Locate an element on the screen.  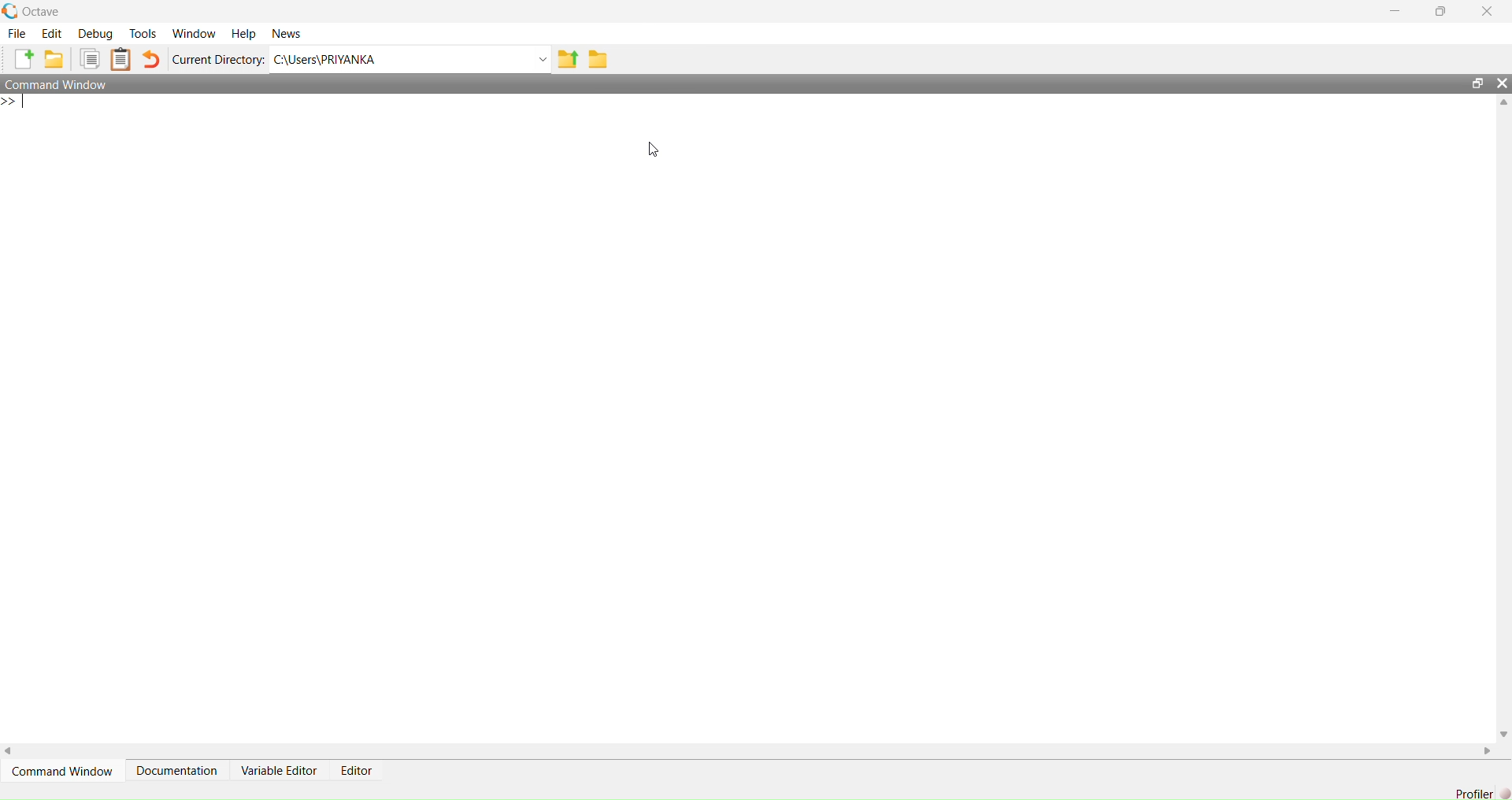
Browse Directions is located at coordinates (598, 58).